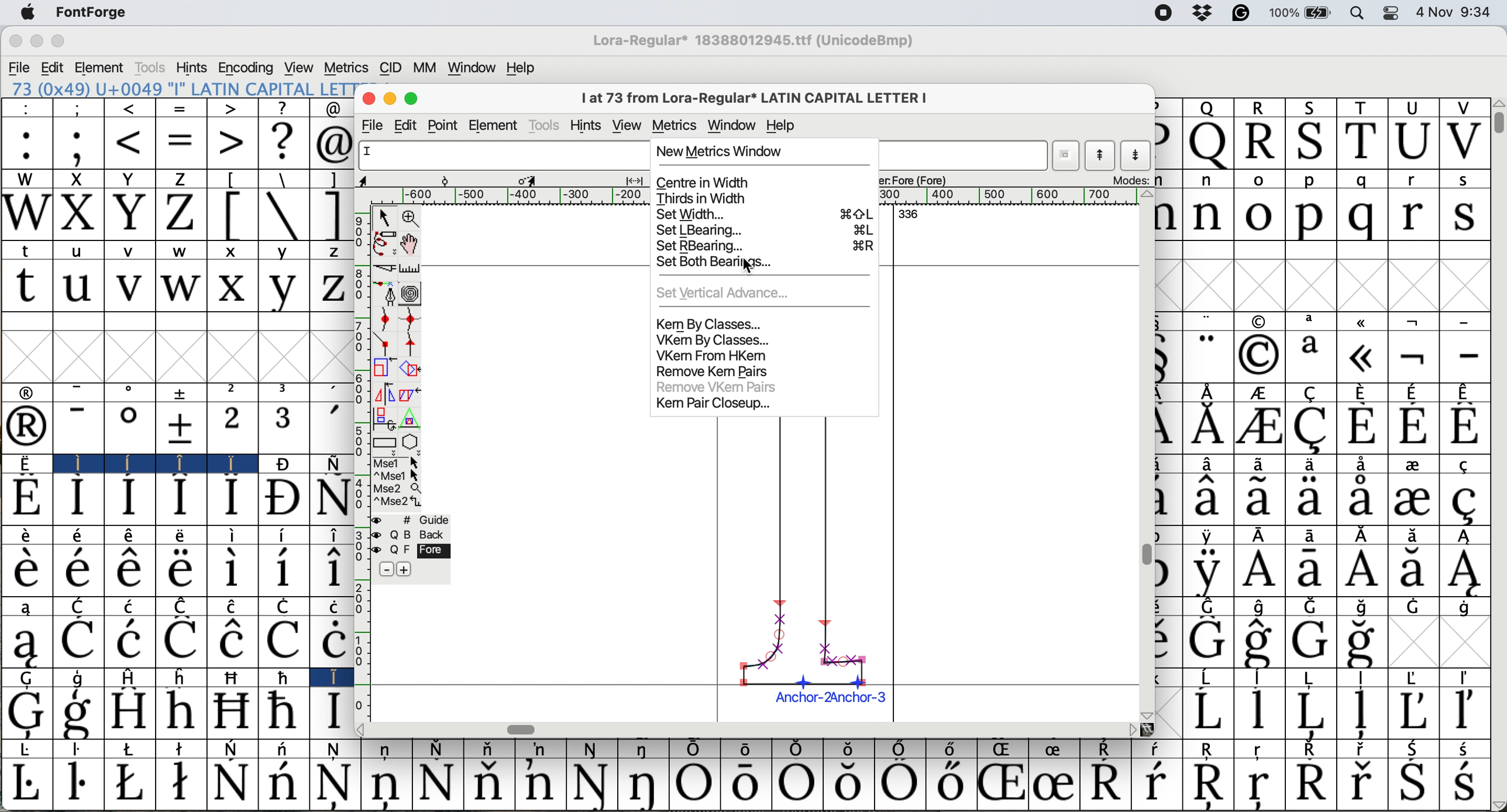 The image size is (1507, 812). Describe the element at coordinates (1471, 463) in the screenshot. I see `Symbol` at that location.